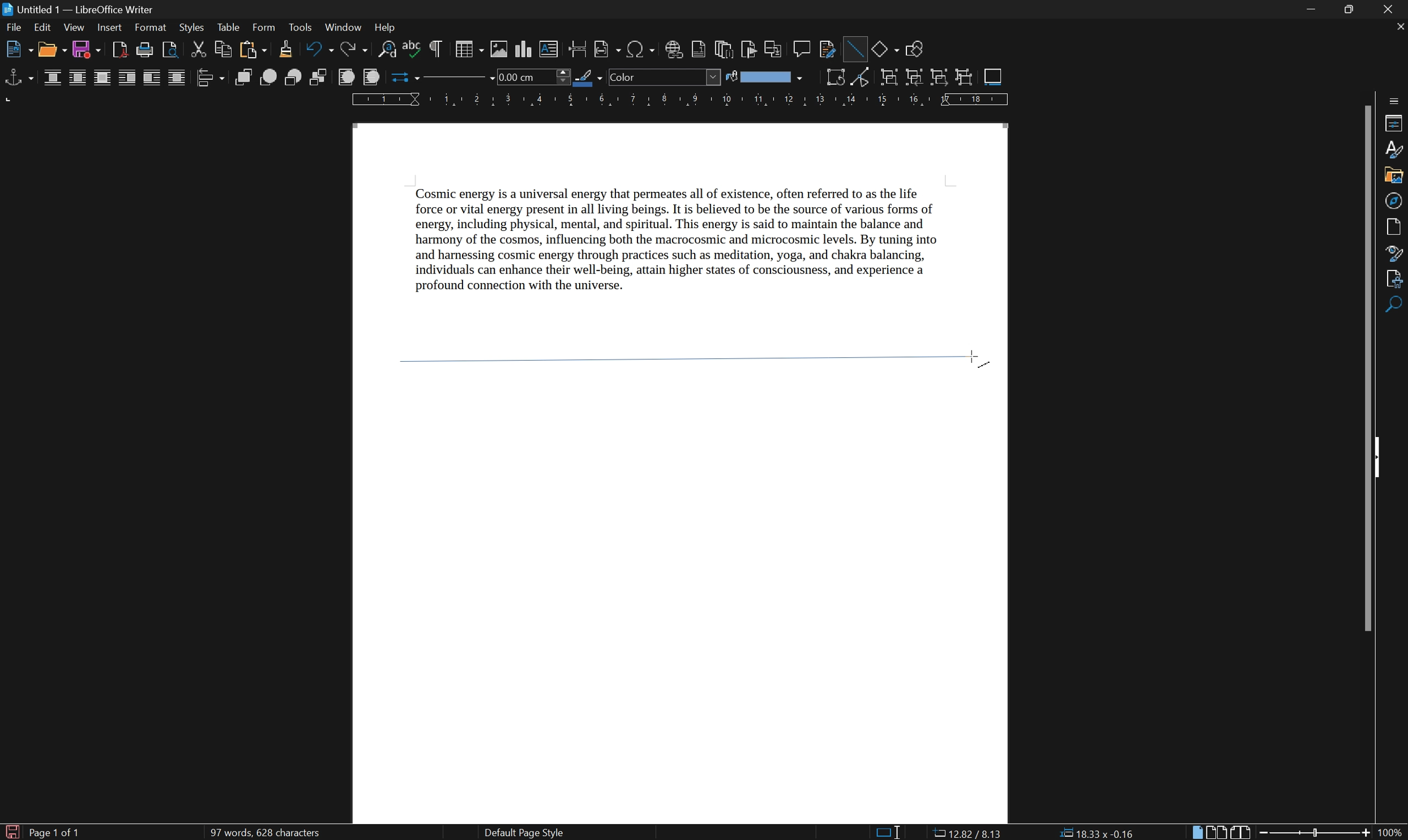 The image size is (1408, 840). I want to click on copy, so click(222, 49).